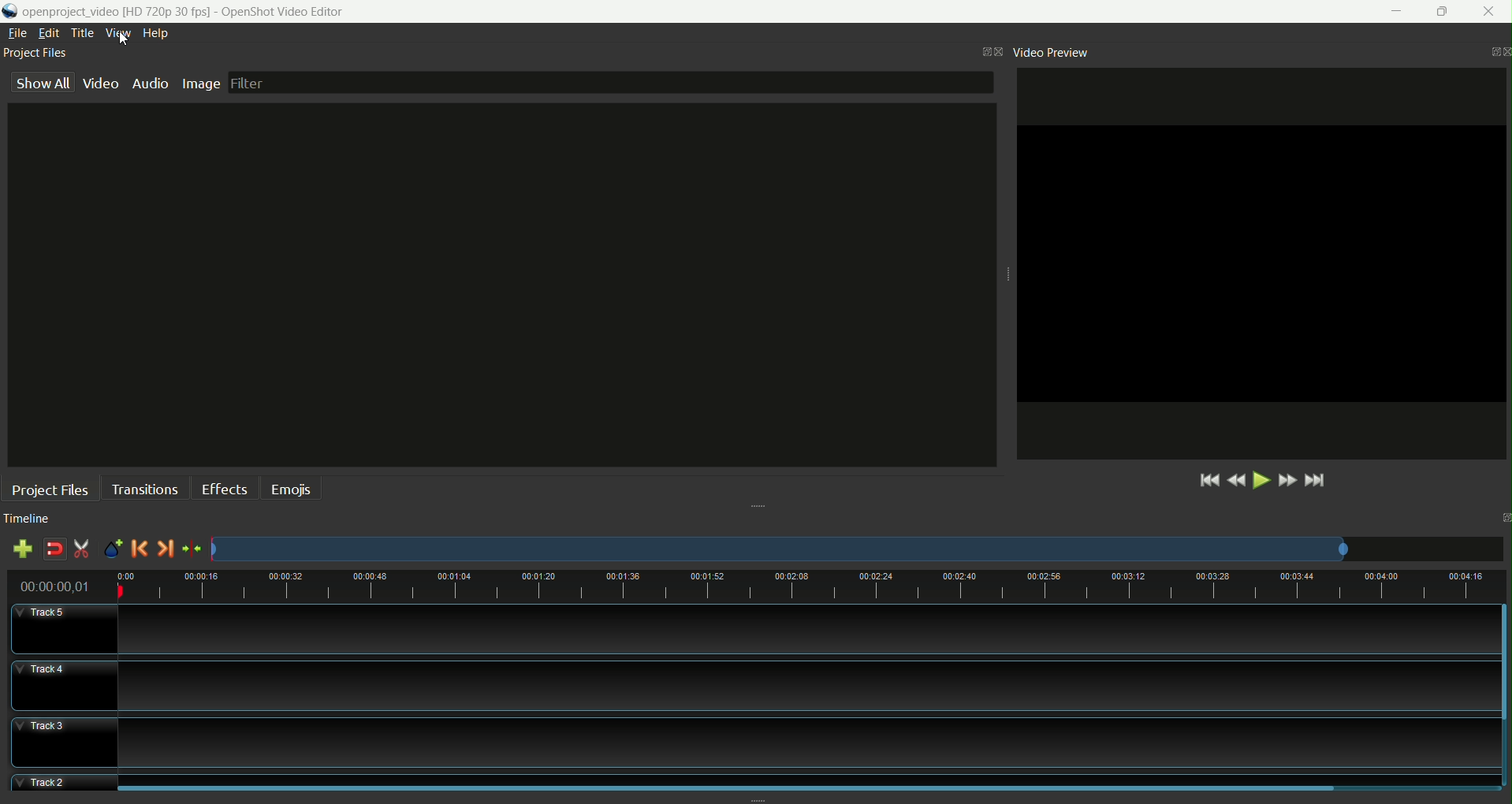 The width and height of the screenshot is (1512, 804). What do you see at coordinates (1447, 9) in the screenshot?
I see `maximize` at bounding box center [1447, 9].